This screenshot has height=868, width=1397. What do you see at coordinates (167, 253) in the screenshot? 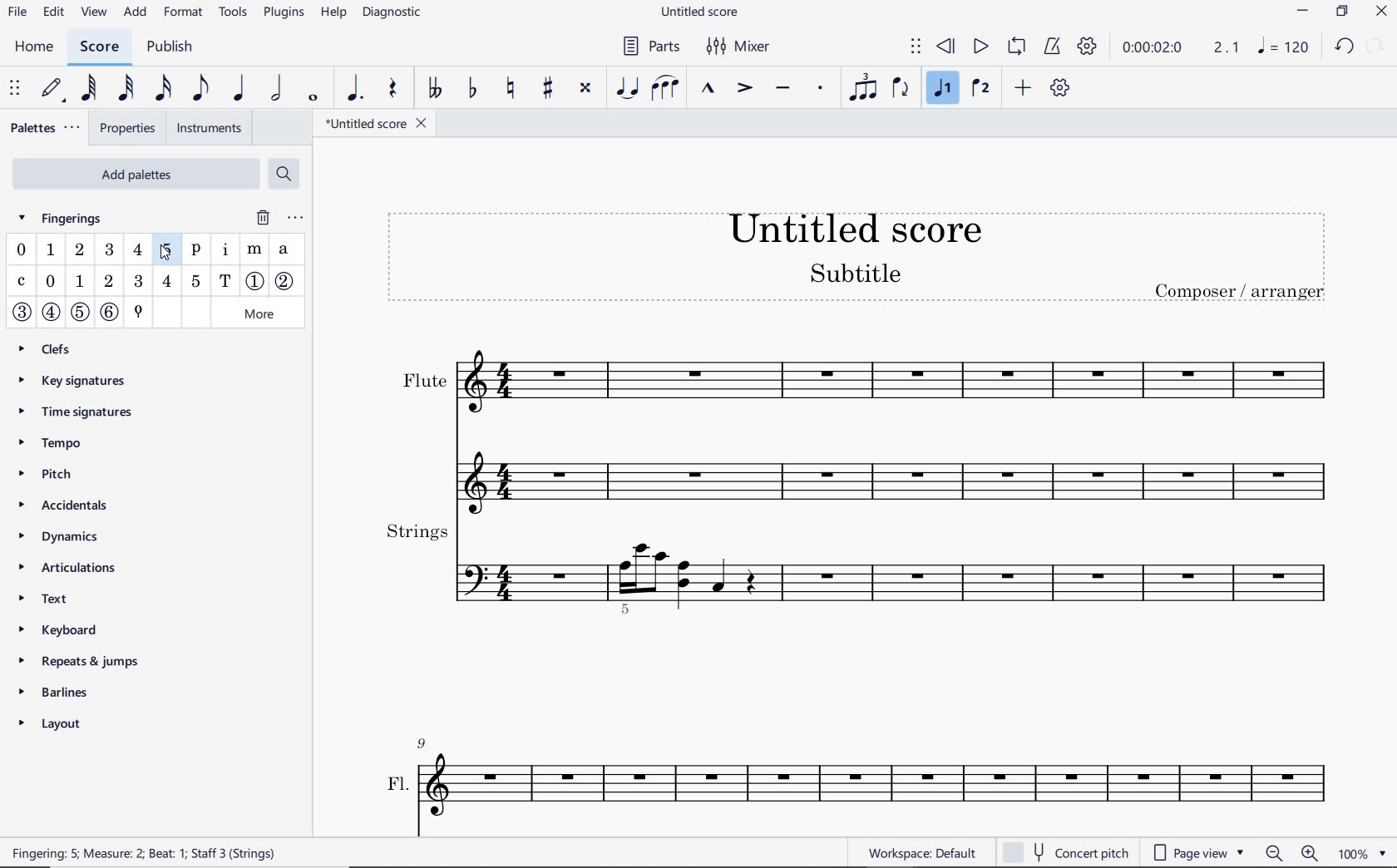
I see `fingering 5` at bounding box center [167, 253].